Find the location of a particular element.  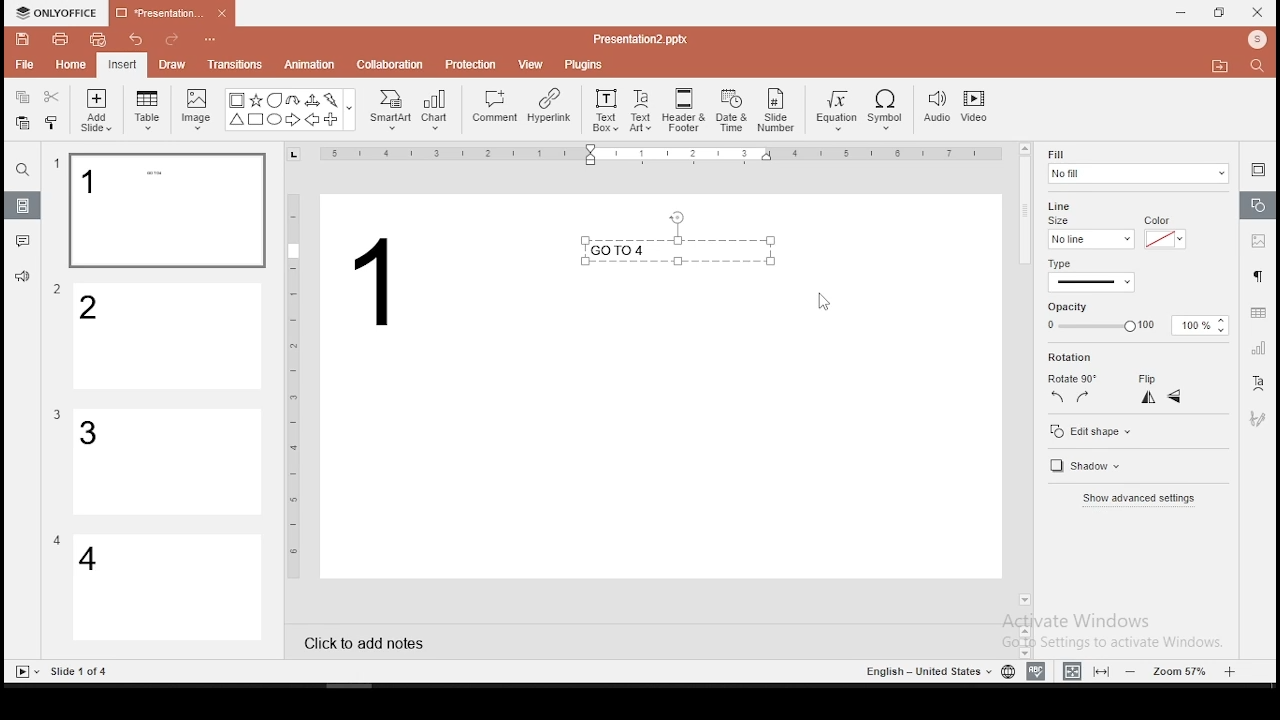

chart is located at coordinates (436, 109).